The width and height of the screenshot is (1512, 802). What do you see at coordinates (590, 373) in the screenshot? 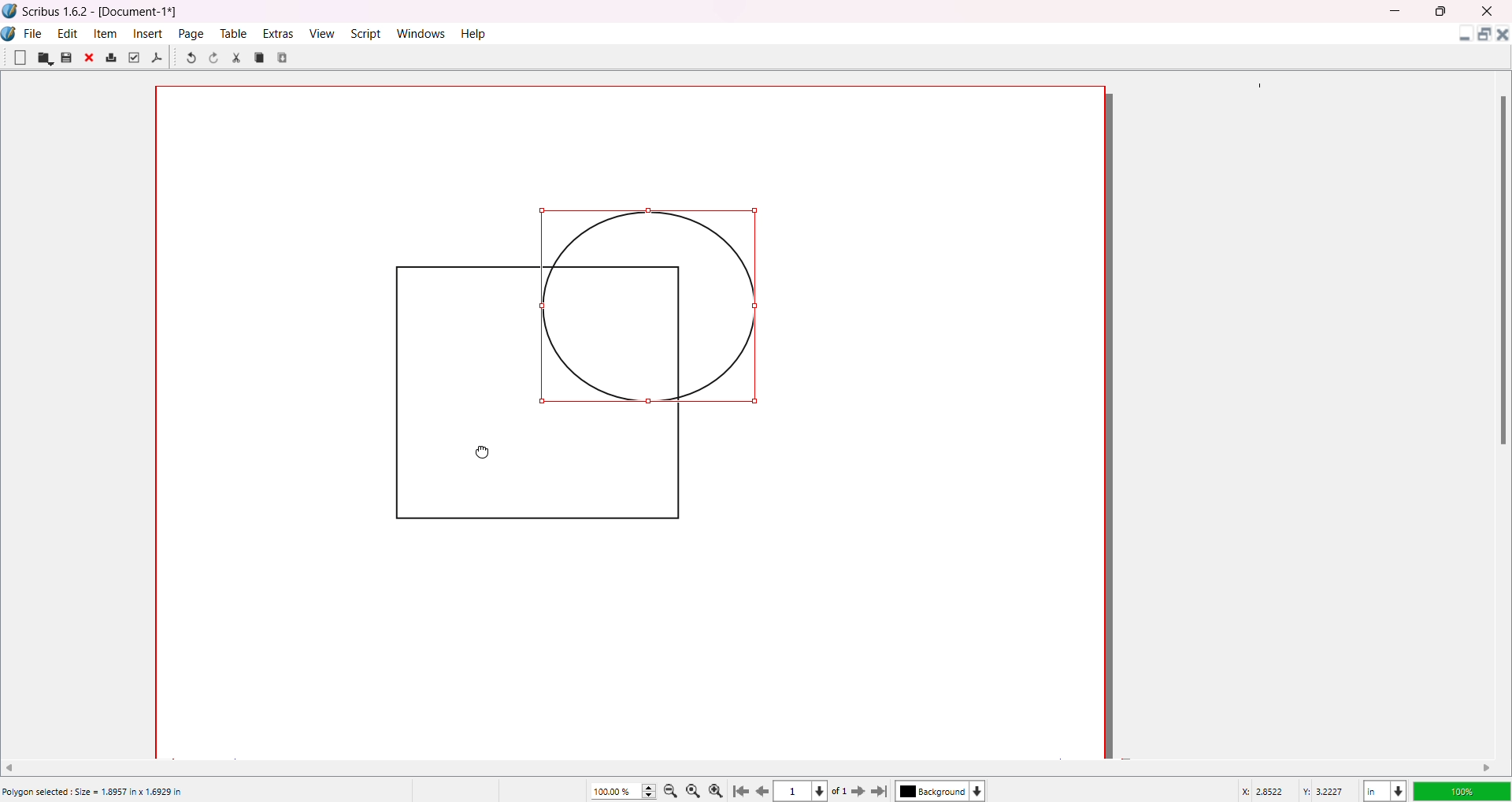
I see `Objects` at bounding box center [590, 373].